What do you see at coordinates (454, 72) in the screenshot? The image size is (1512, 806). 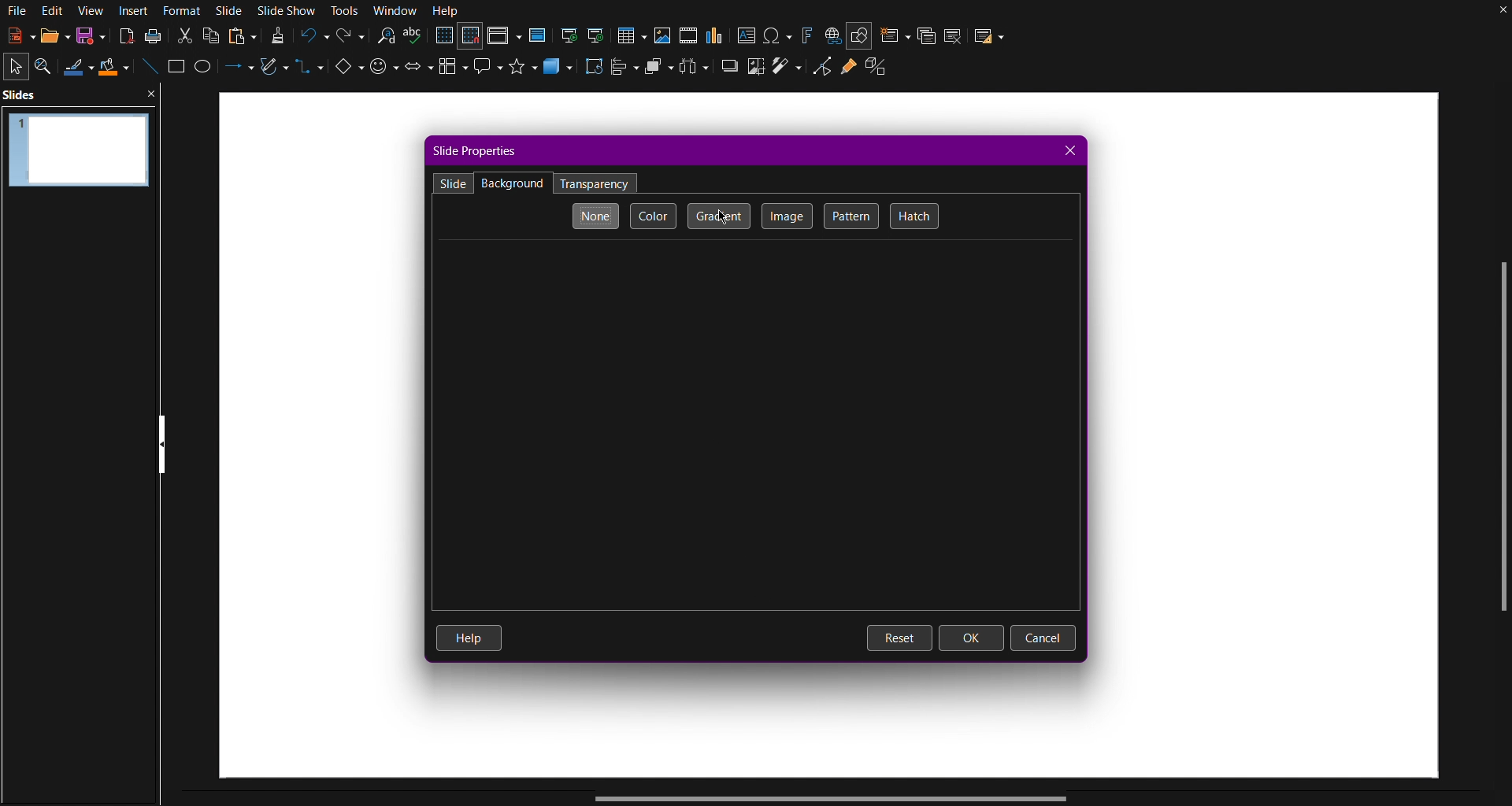 I see `Flowcharts` at bounding box center [454, 72].